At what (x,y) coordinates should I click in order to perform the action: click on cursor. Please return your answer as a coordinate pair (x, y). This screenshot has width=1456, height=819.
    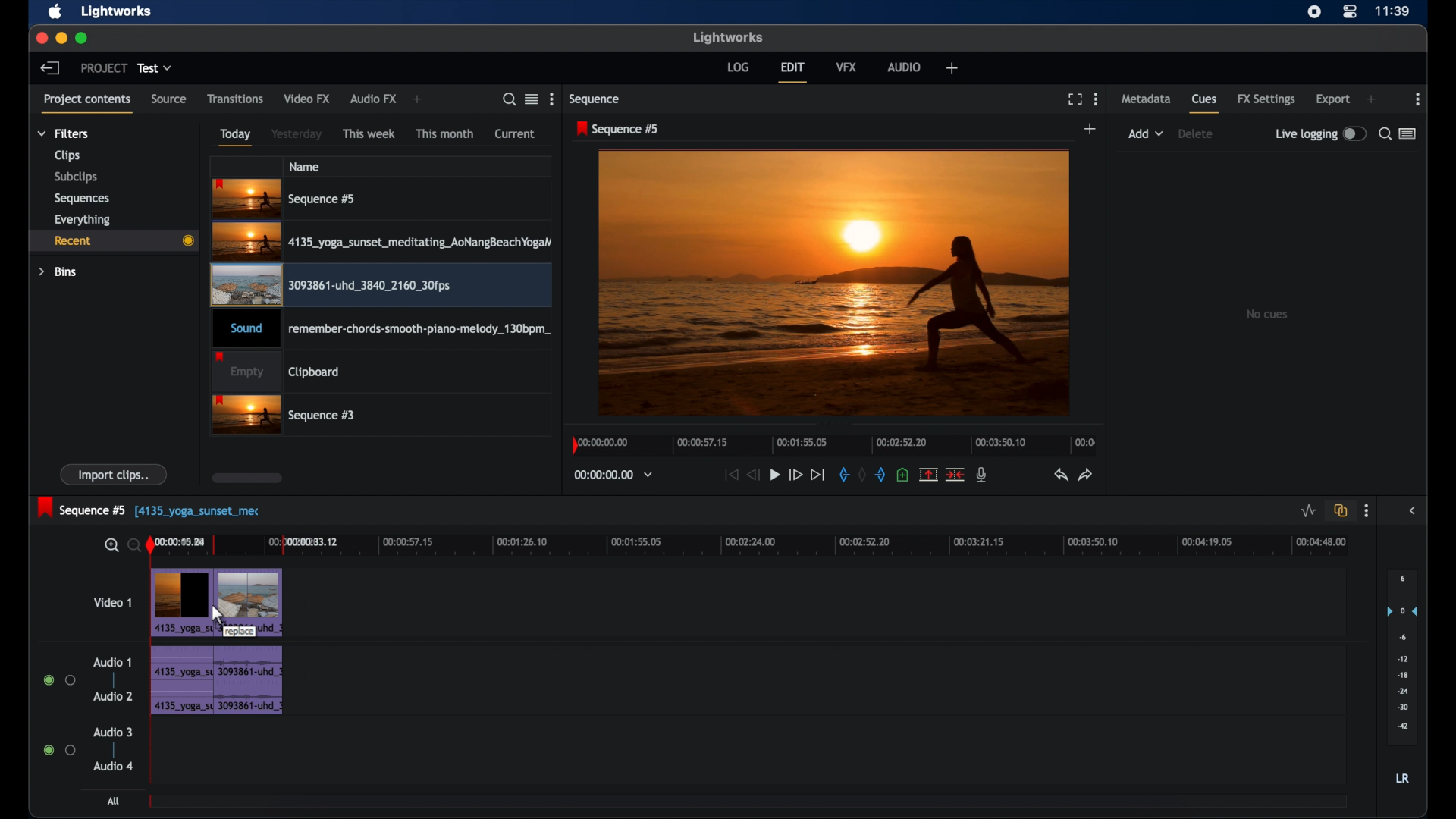
    Looking at the image, I should click on (220, 615).